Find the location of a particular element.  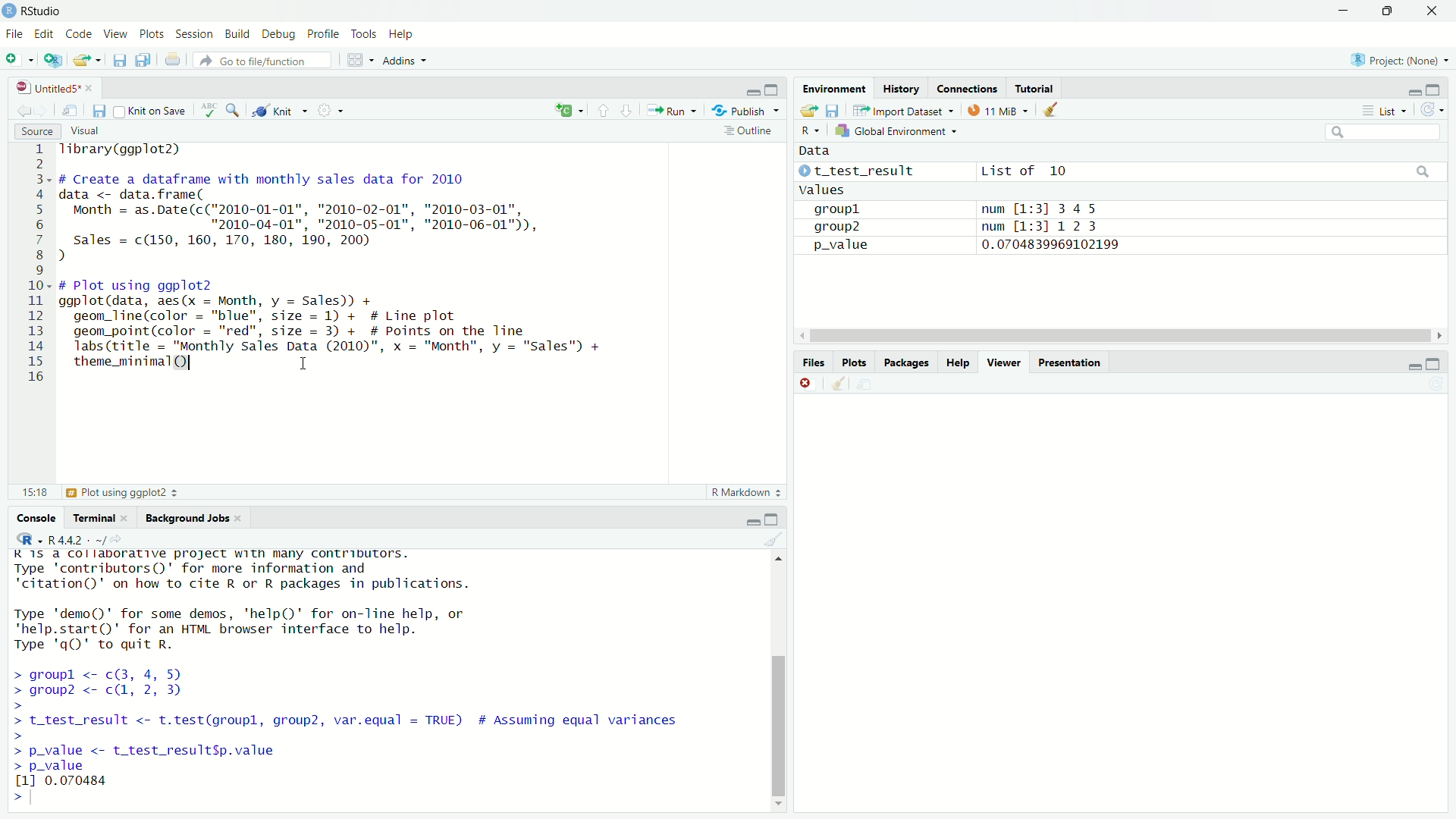

aroun? num M-=311 2 3 is located at coordinates (959, 226).